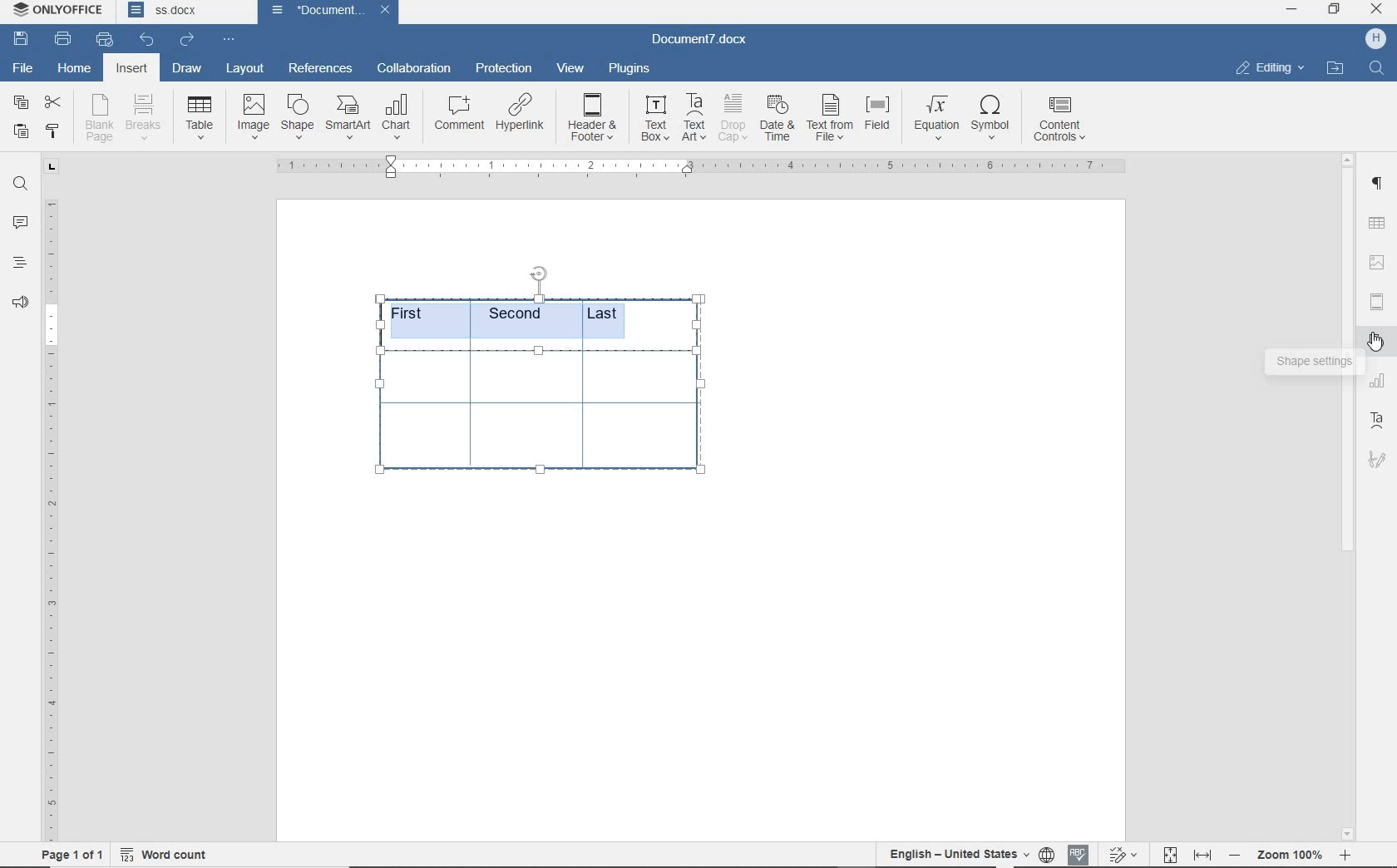  What do you see at coordinates (733, 118) in the screenshot?
I see `drop cap` at bounding box center [733, 118].